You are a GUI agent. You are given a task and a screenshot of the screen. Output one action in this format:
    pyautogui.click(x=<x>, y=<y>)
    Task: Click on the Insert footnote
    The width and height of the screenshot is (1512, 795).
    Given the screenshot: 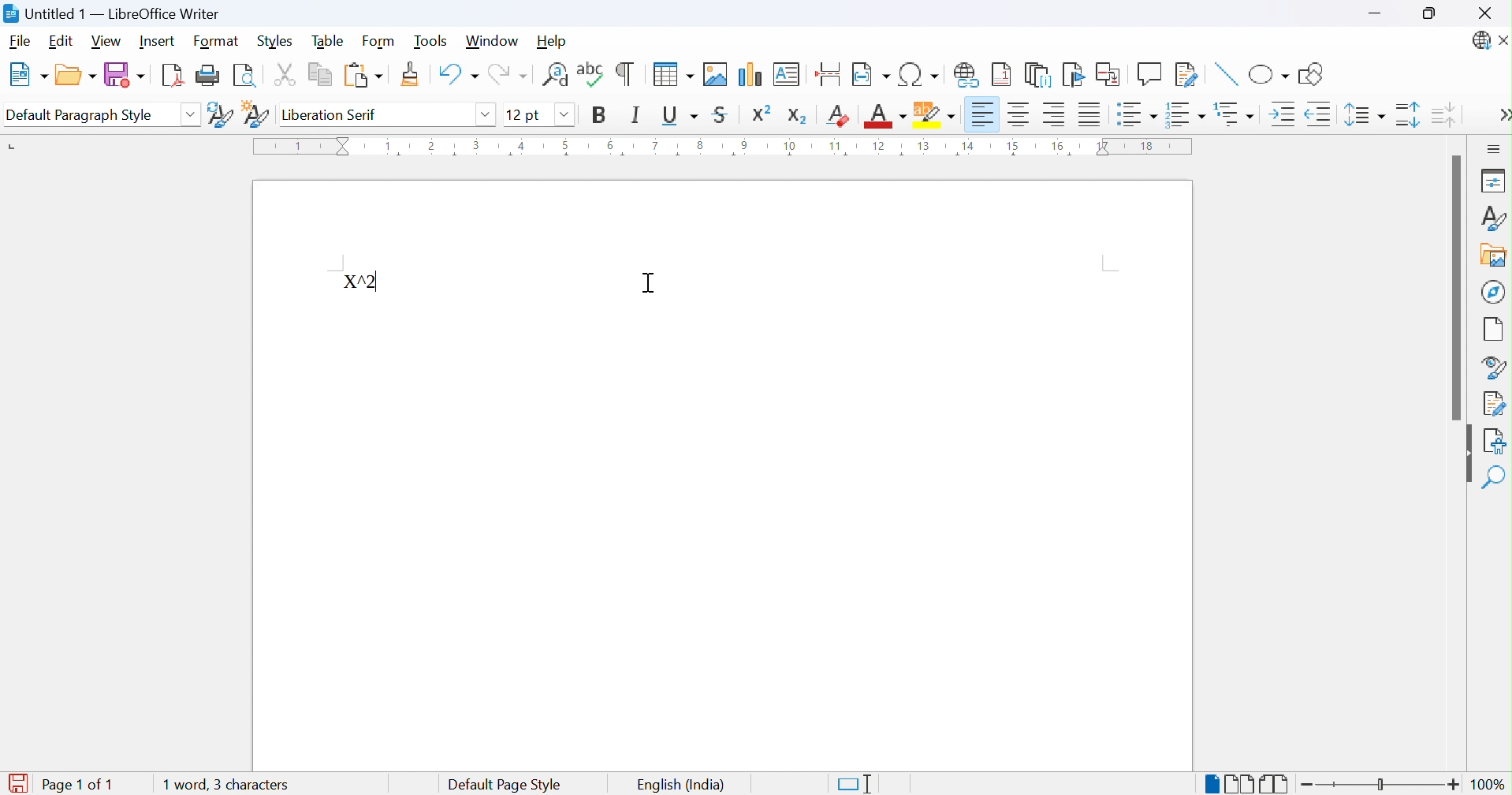 What is the action you would take?
    pyautogui.click(x=1001, y=76)
    